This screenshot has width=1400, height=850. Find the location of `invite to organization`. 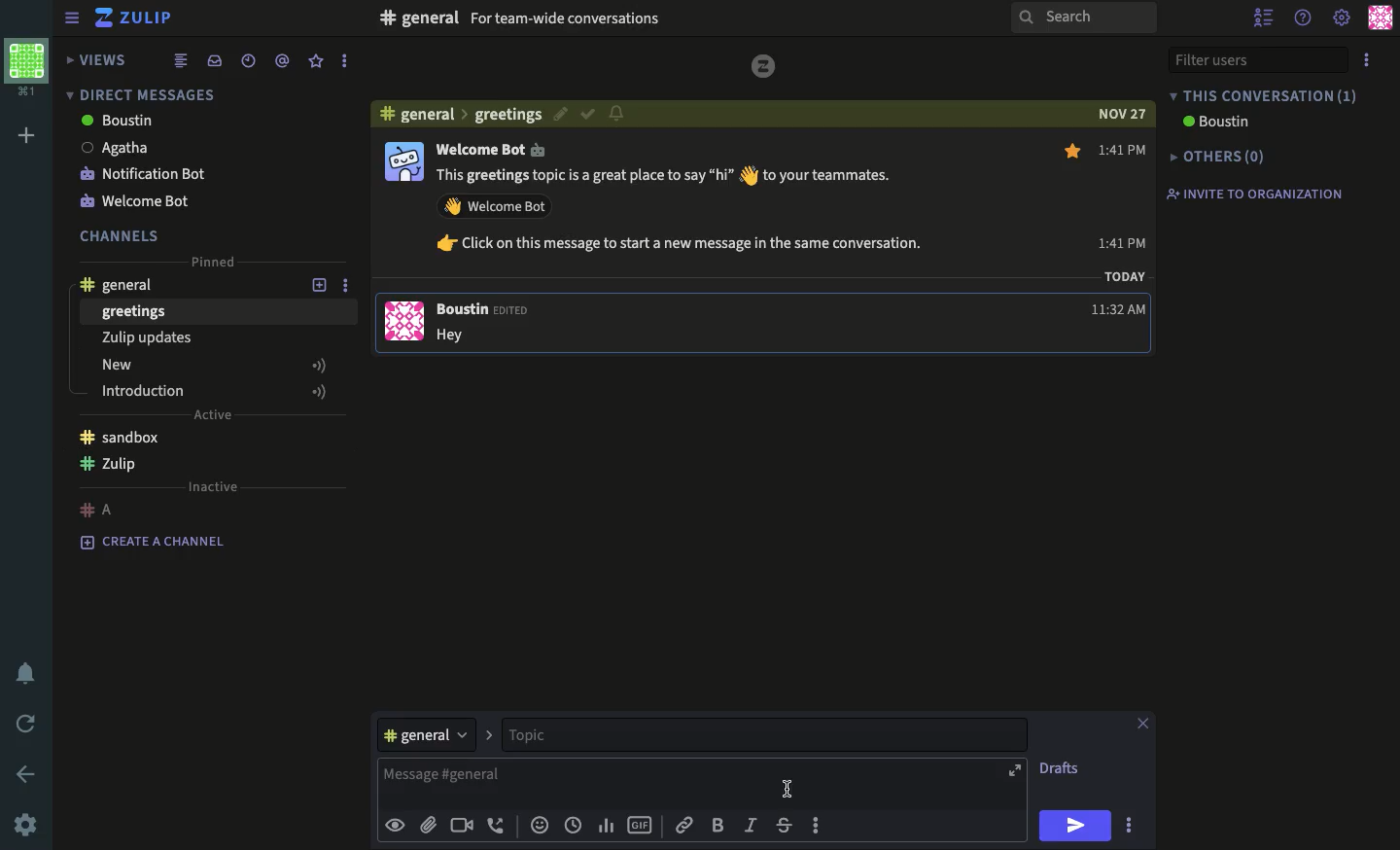

invite to organization is located at coordinates (1251, 192).